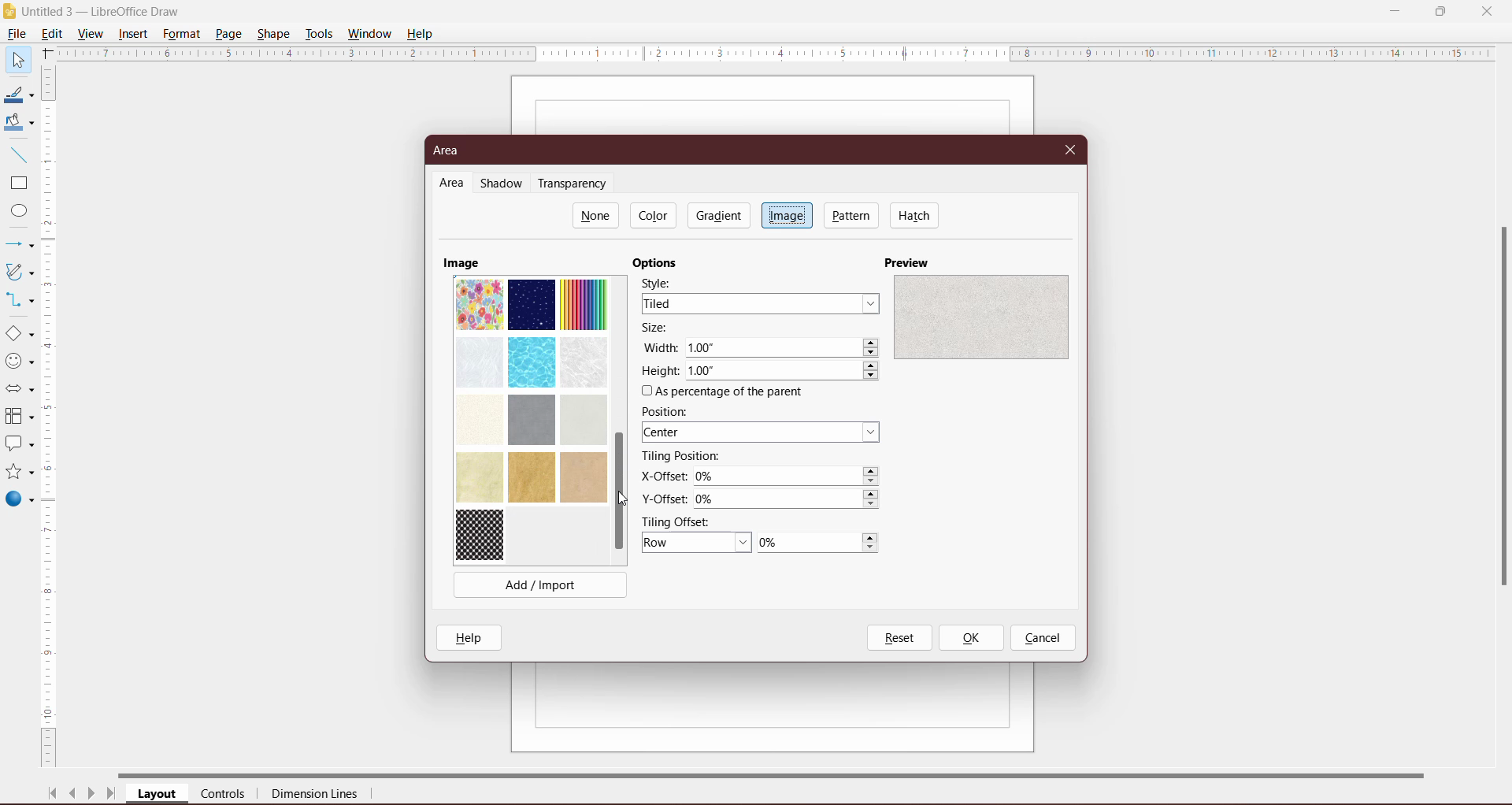 Image resolution: width=1512 pixels, height=805 pixels. I want to click on scrollbar, so click(1499, 427).